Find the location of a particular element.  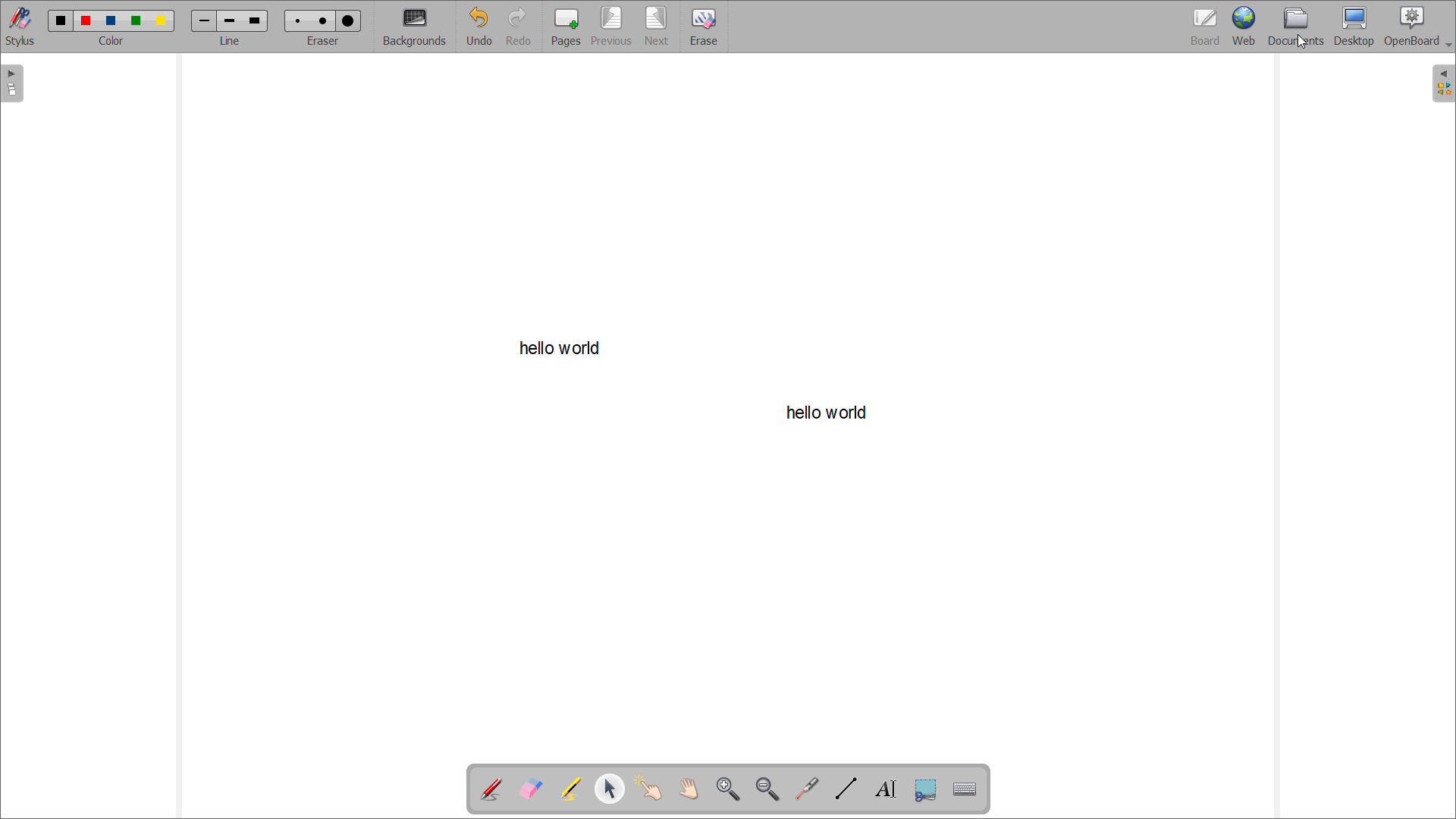

color is located at coordinates (112, 27).